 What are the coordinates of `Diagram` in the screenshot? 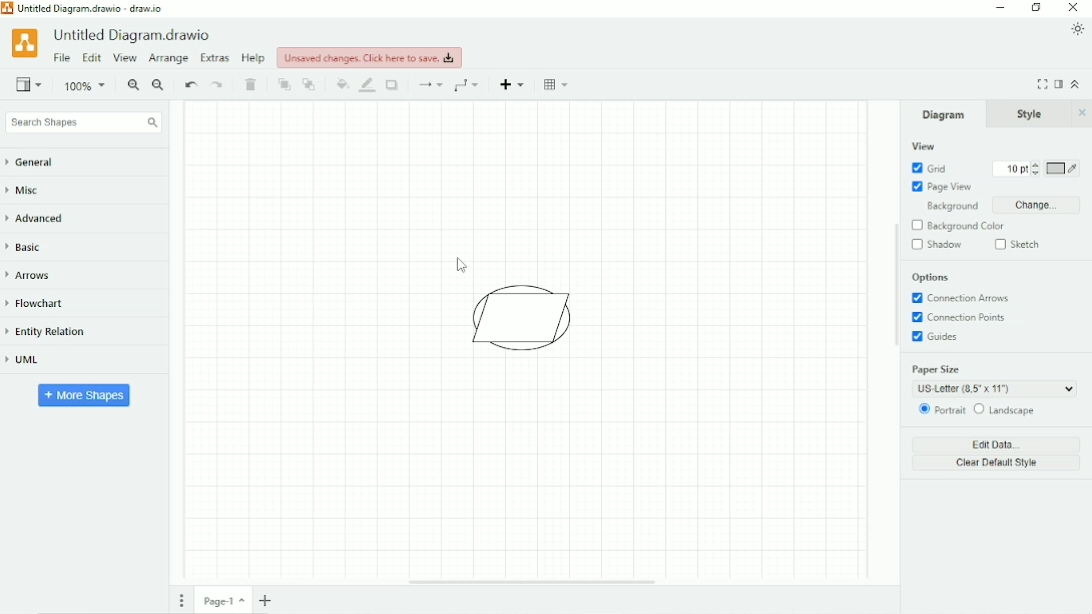 It's located at (944, 114).